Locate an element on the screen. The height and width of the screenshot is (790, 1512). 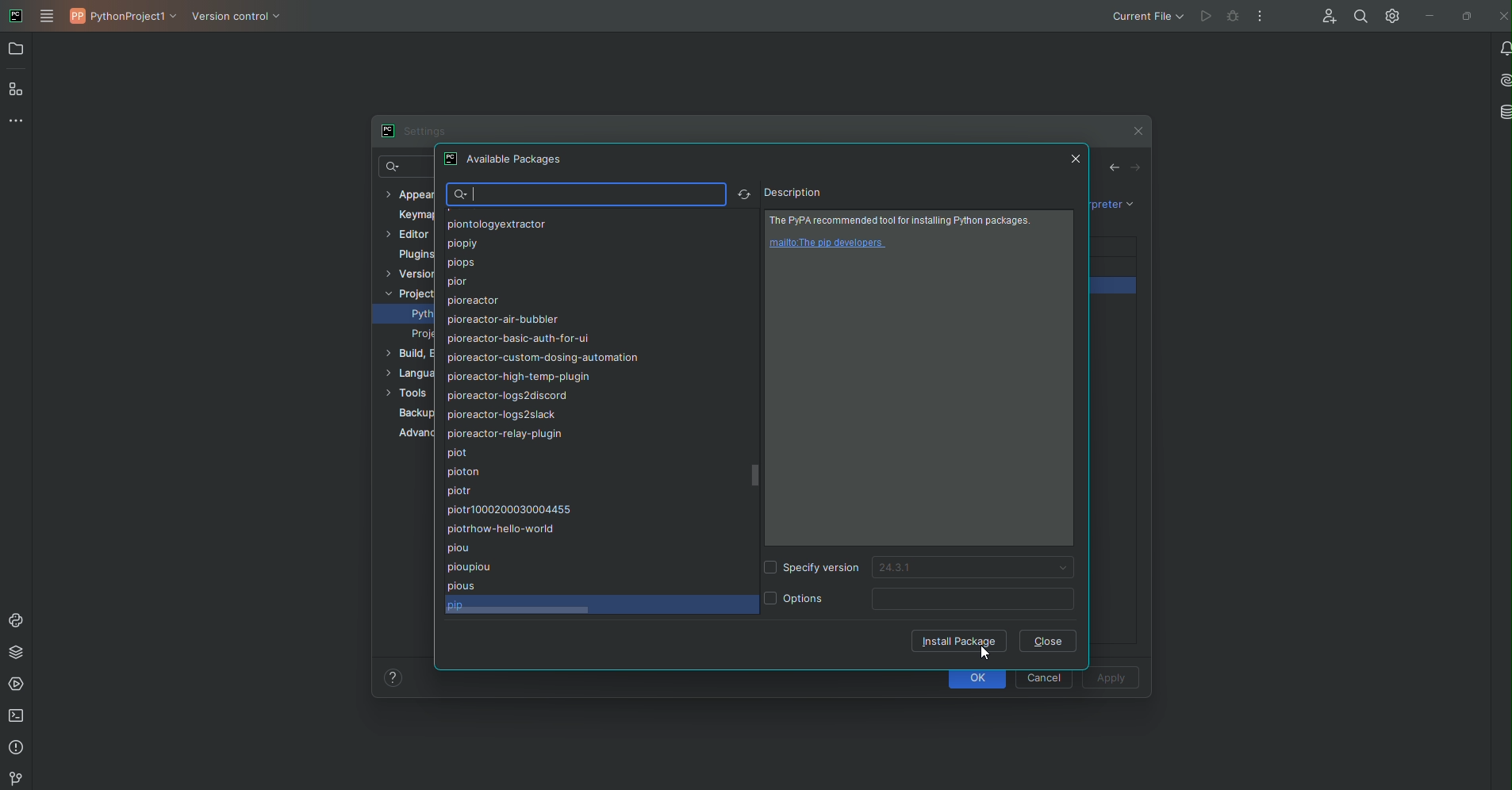
PythonProject1 is located at coordinates (125, 19).